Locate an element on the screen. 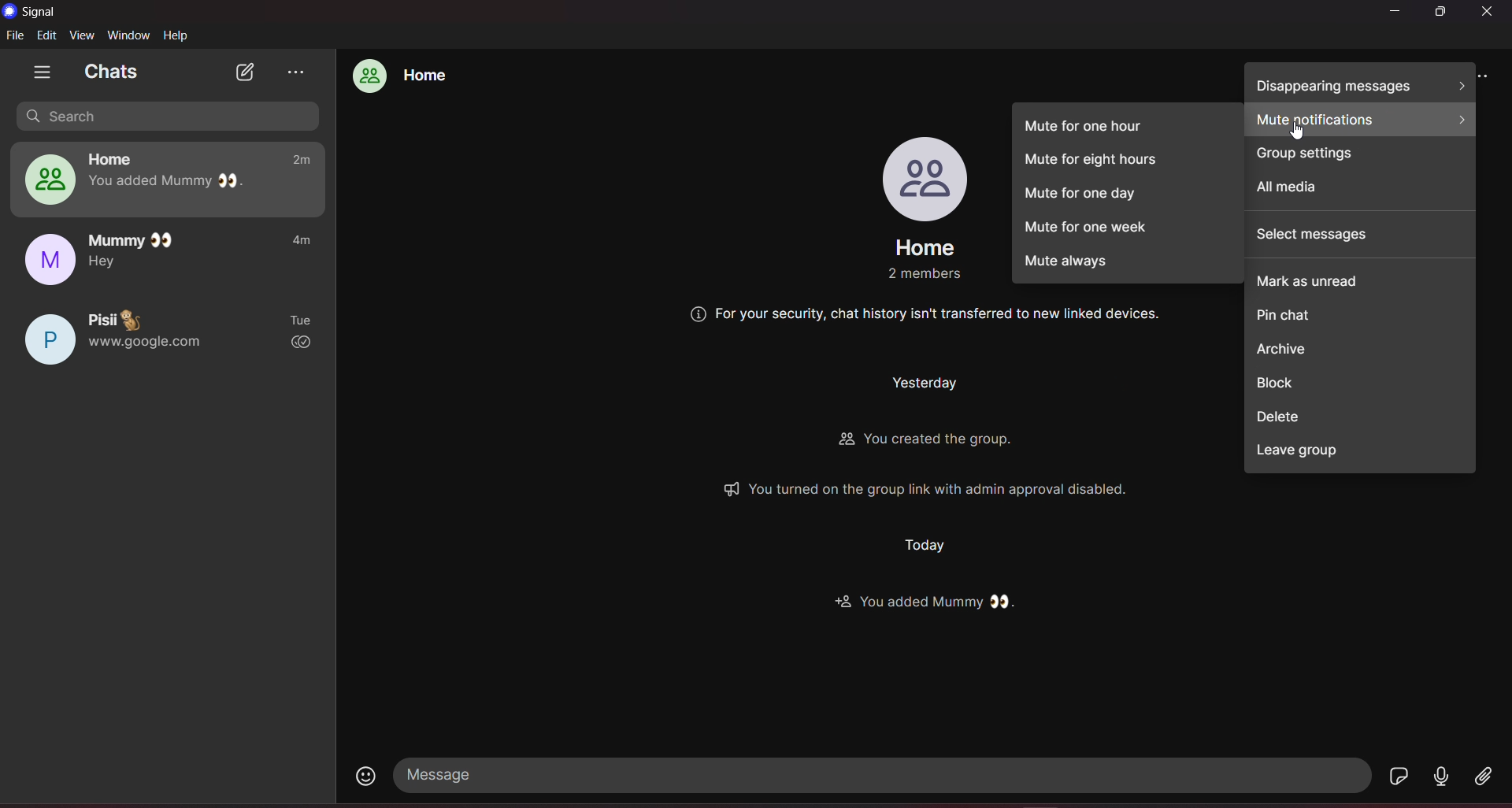 This screenshot has width=1512, height=808. new chat is located at coordinates (246, 72).